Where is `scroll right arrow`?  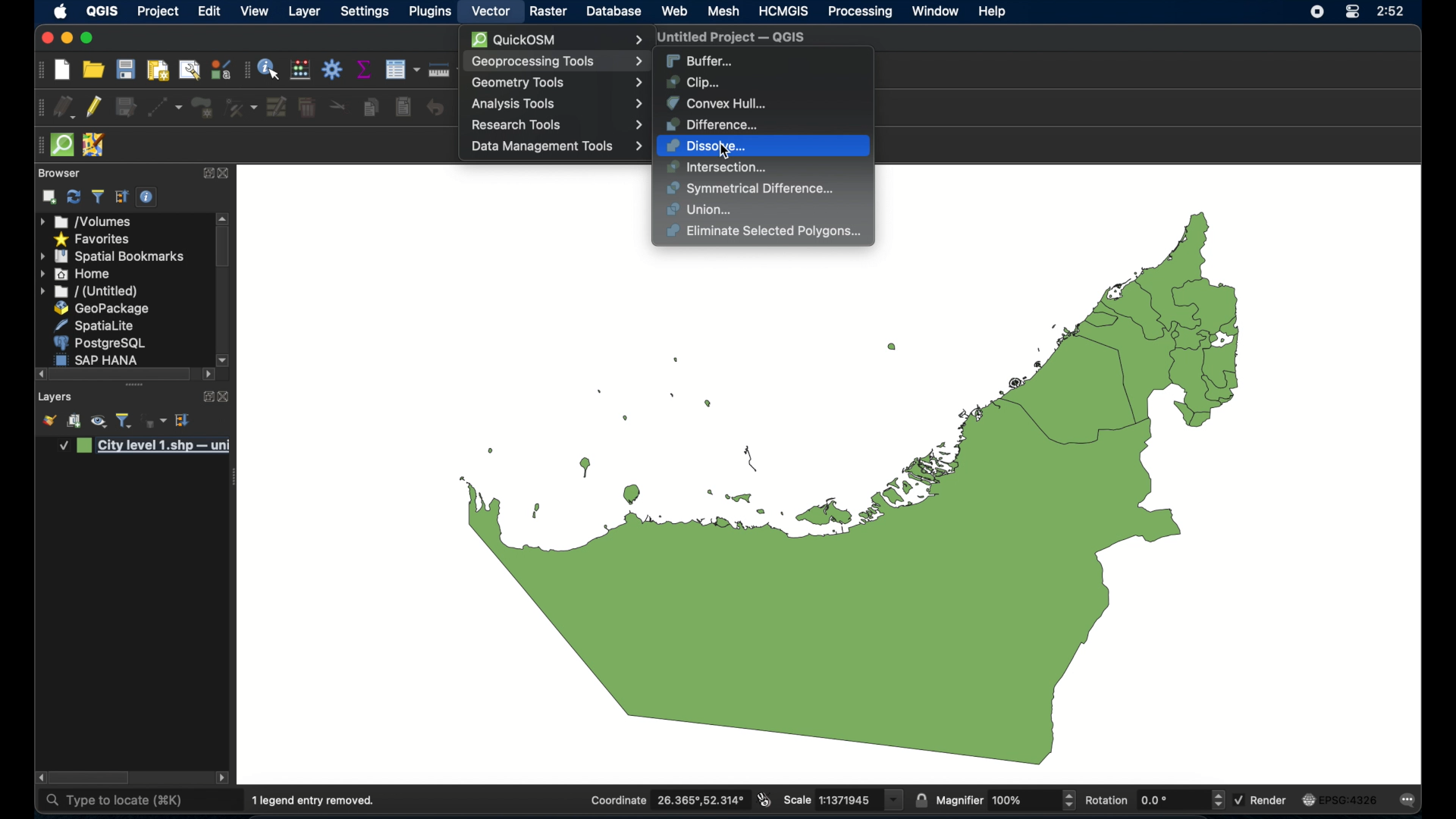
scroll right arrow is located at coordinates (39, 778).